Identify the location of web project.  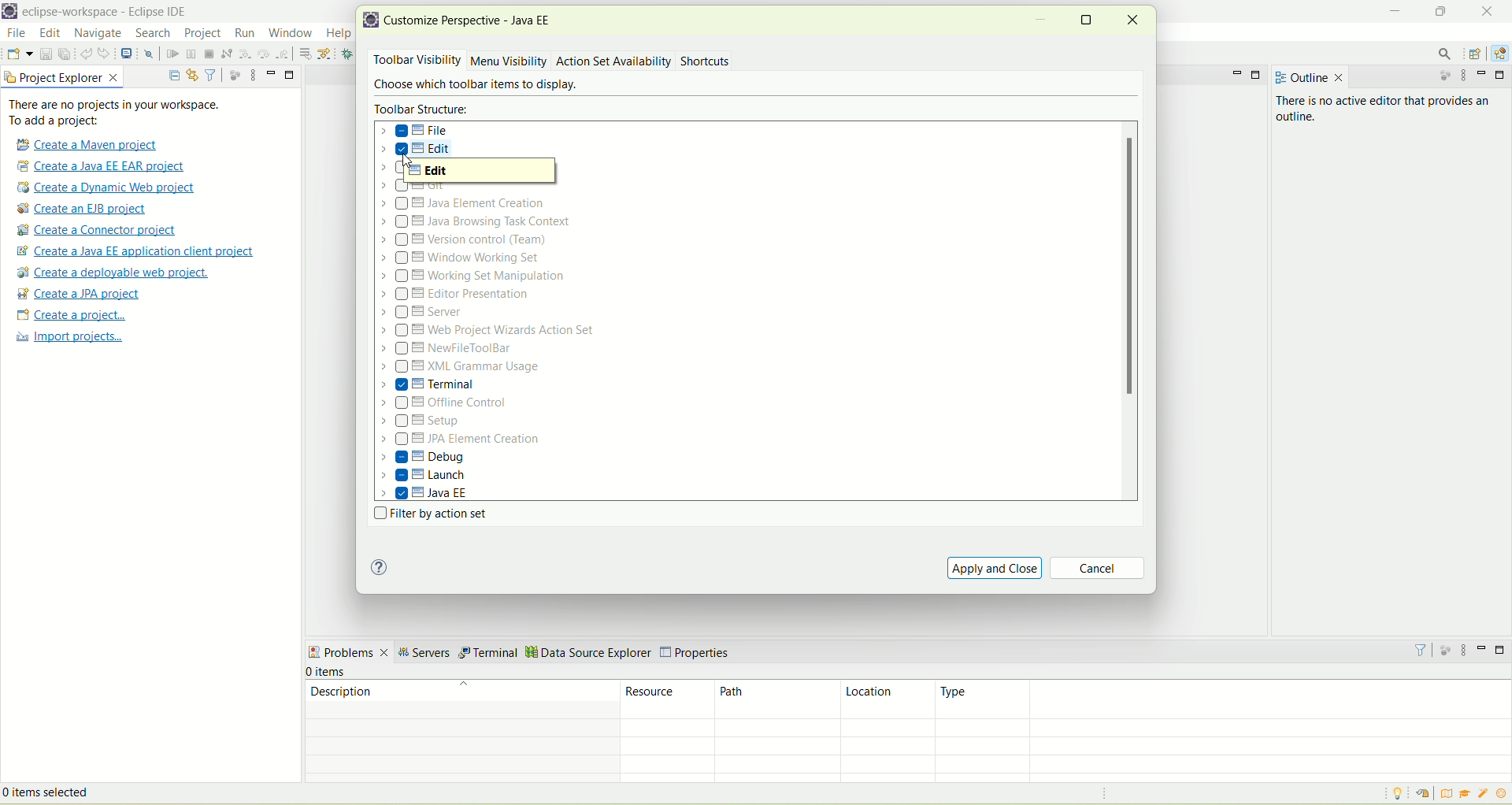
(490, 331).